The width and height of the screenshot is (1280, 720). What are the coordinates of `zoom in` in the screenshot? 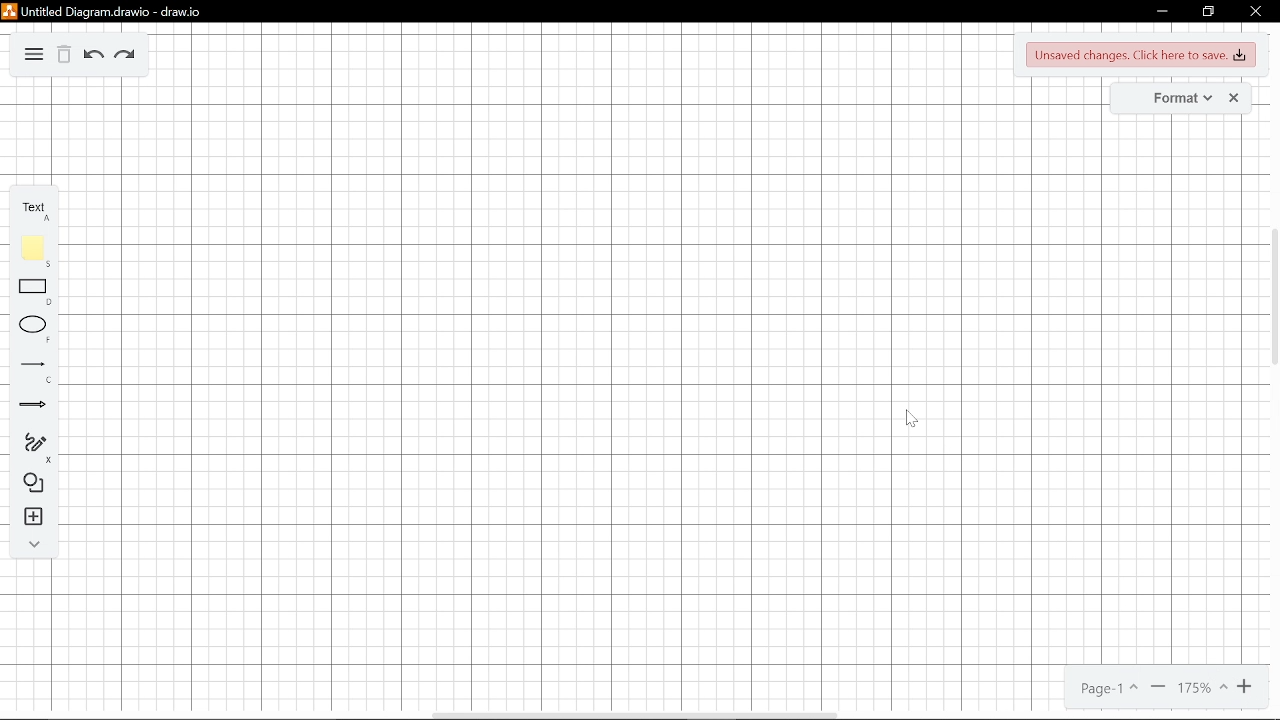 It's located at (1244, 686).